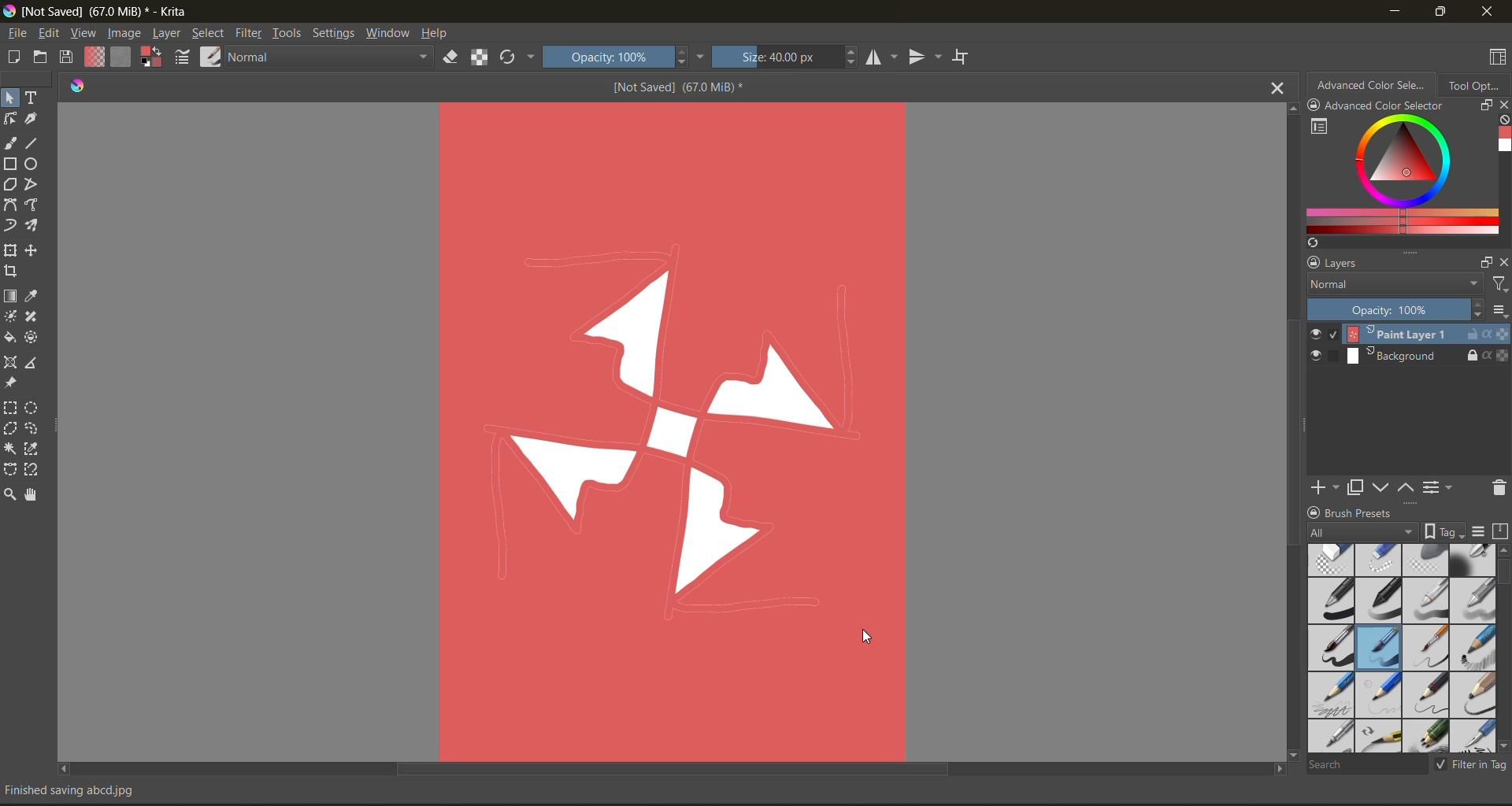 The height and width of the screenshot is (806, 1512). Describe the element at coordinates (336, 33) in the screenshot. I see `settings` at that location.